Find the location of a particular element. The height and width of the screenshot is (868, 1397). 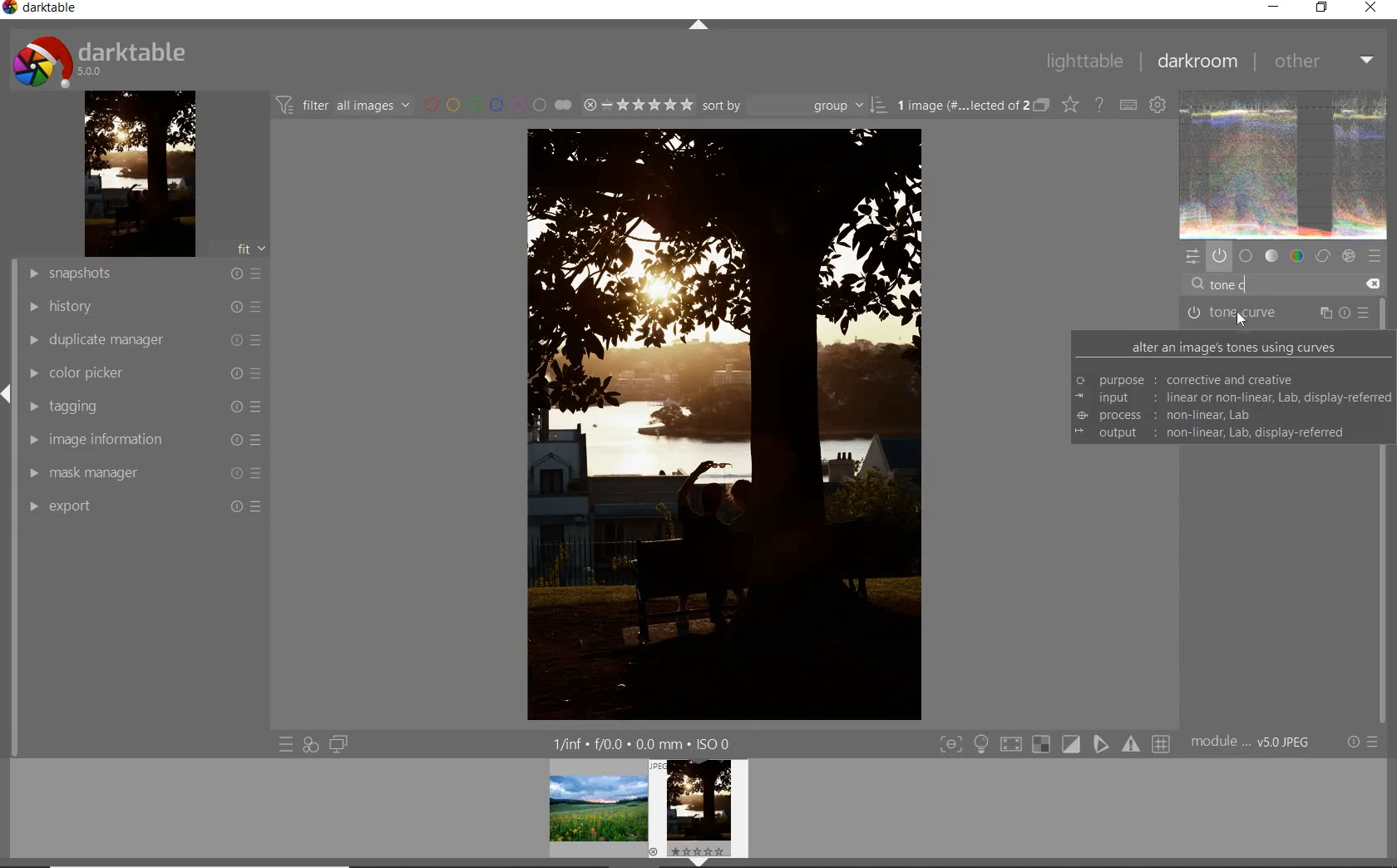

display a second darkroom image widow is located at coordinates (339, 744).